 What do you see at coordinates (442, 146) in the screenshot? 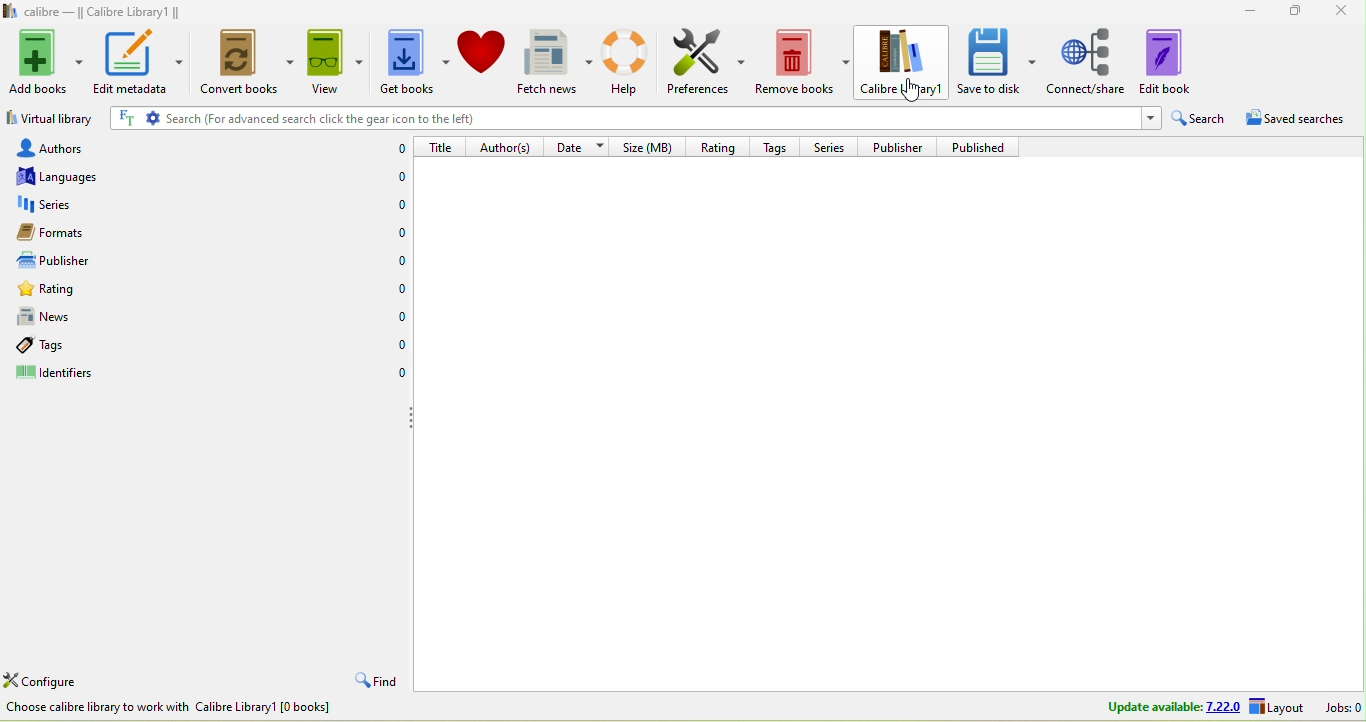
I see `title` at bounding box center [442, 146].